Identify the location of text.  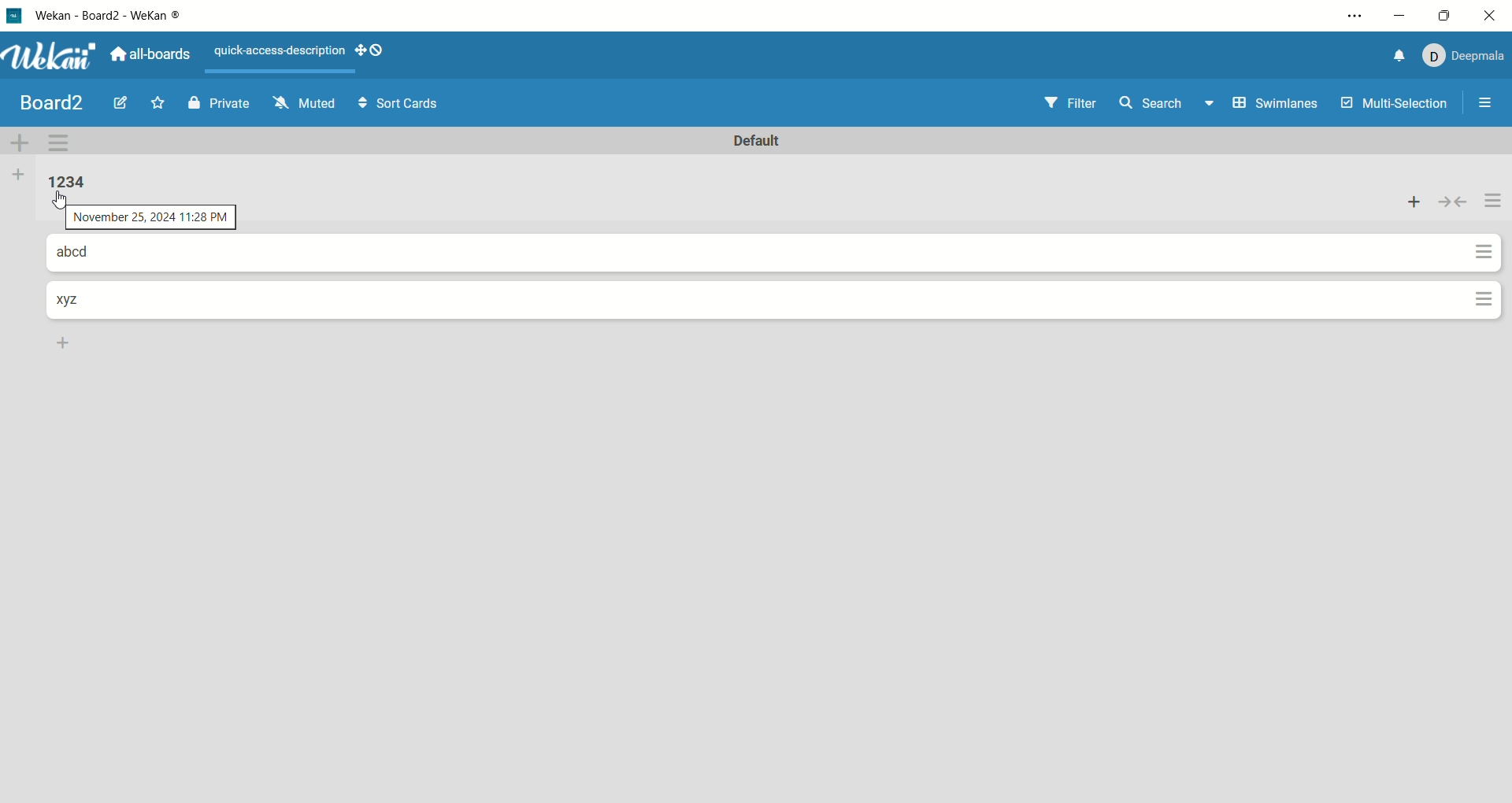
(277, 54).